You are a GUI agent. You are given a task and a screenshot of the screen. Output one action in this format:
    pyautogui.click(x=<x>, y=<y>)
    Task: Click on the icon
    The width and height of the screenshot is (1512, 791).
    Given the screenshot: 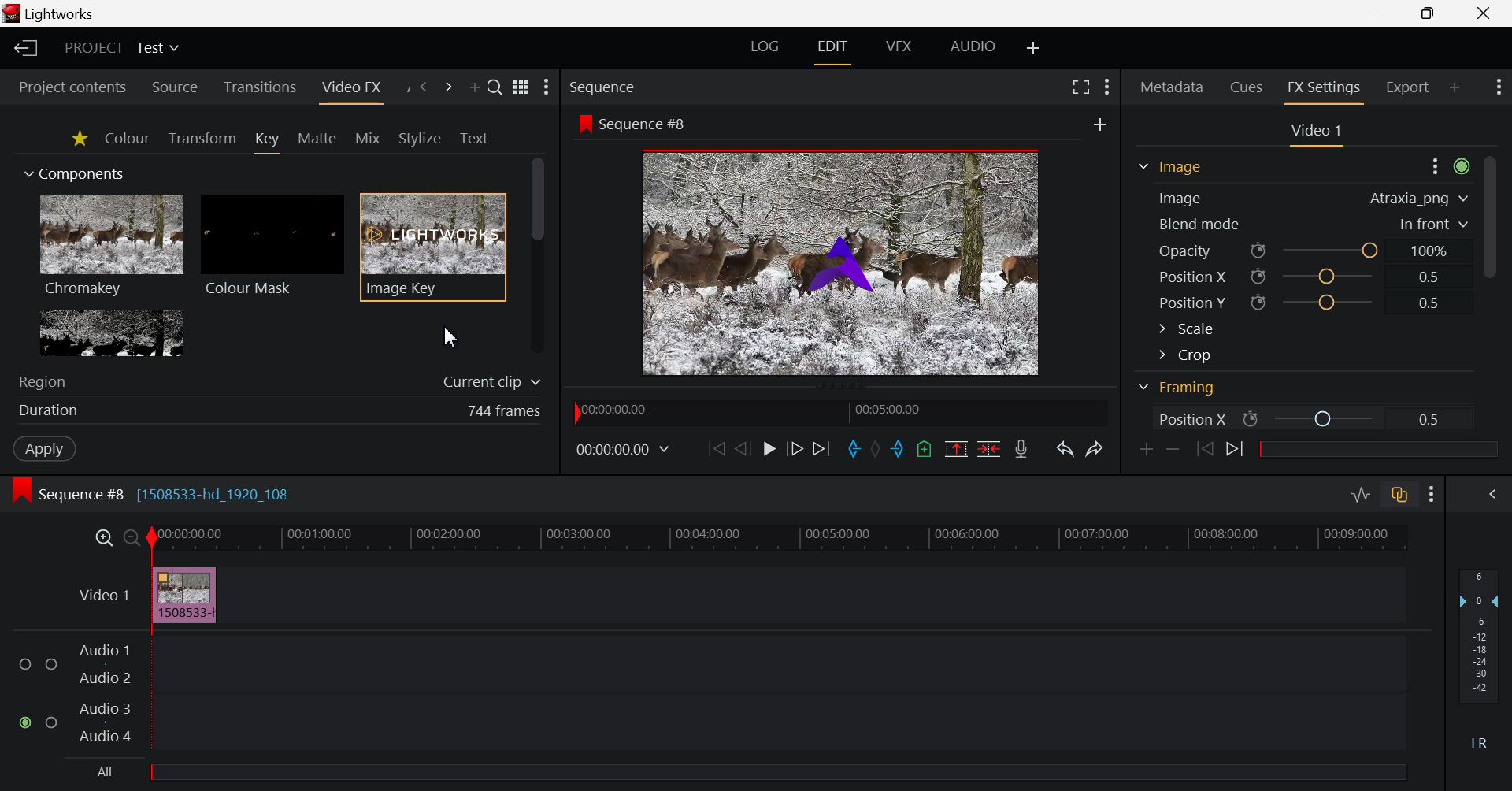 What is the action you would take?
    pyautogui.click(x=1260, y=303)
    